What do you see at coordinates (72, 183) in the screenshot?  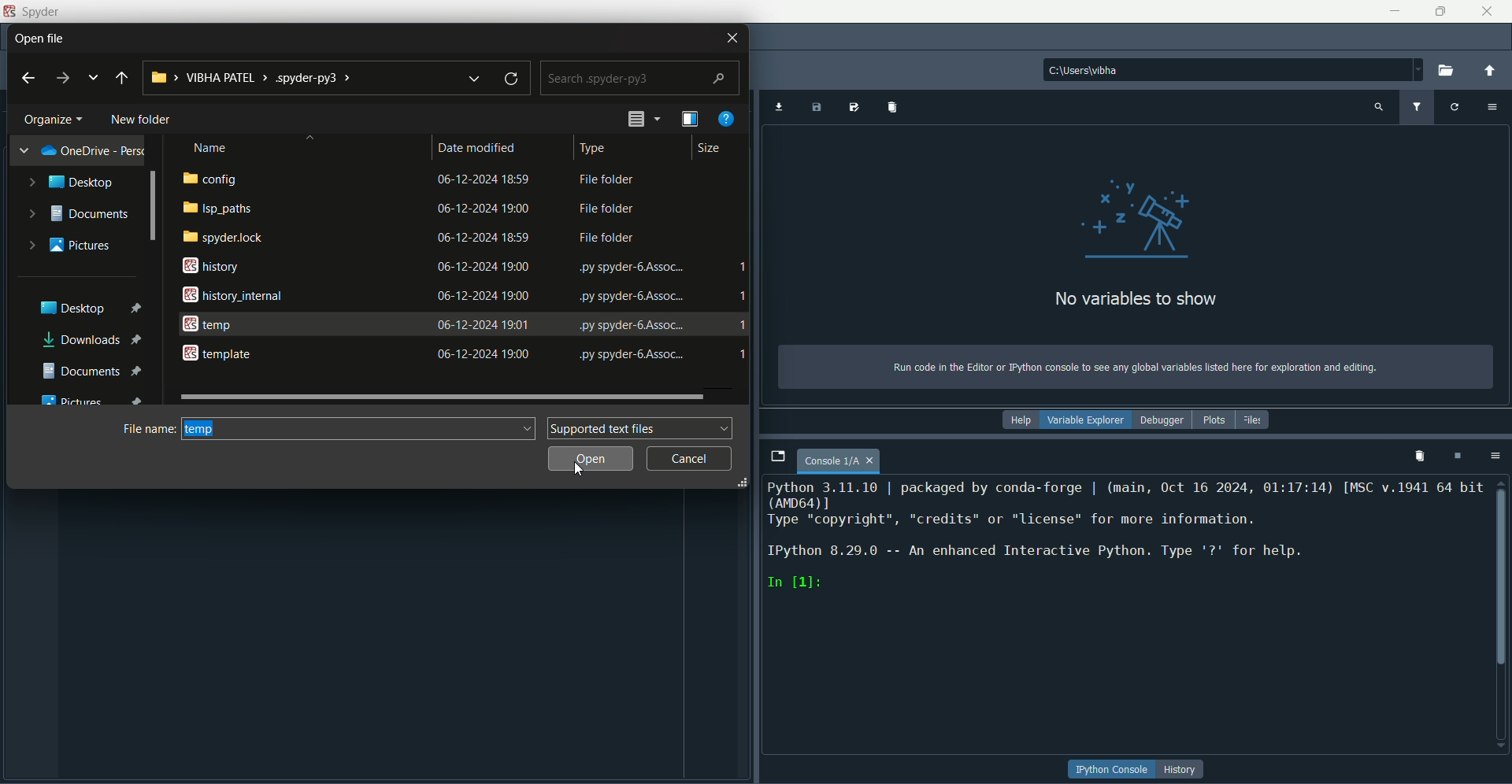 I see `desktop` at bounding box center [72, 183].